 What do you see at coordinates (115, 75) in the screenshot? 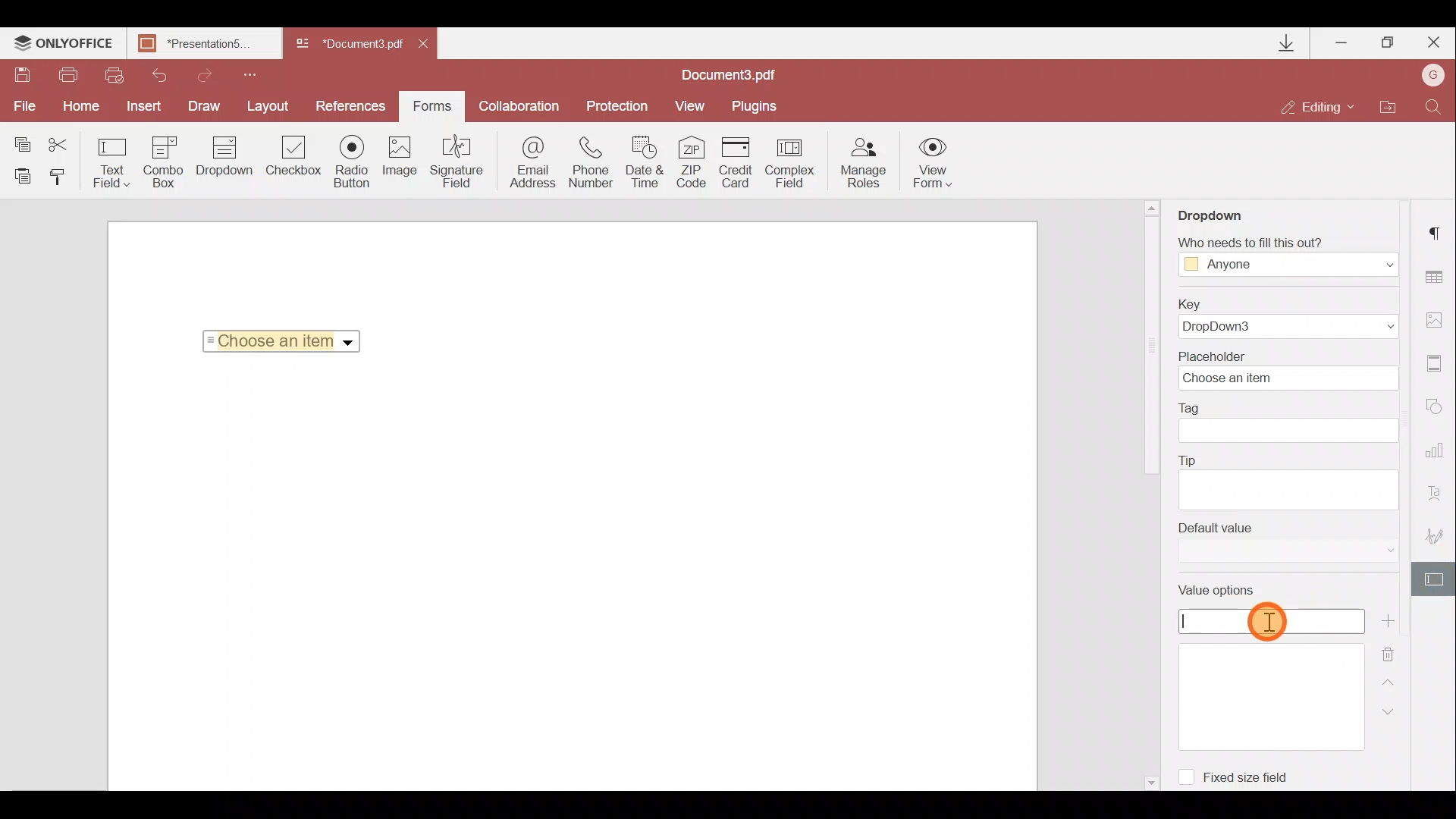
I see `Quick print` at bounding box center [115, 75].